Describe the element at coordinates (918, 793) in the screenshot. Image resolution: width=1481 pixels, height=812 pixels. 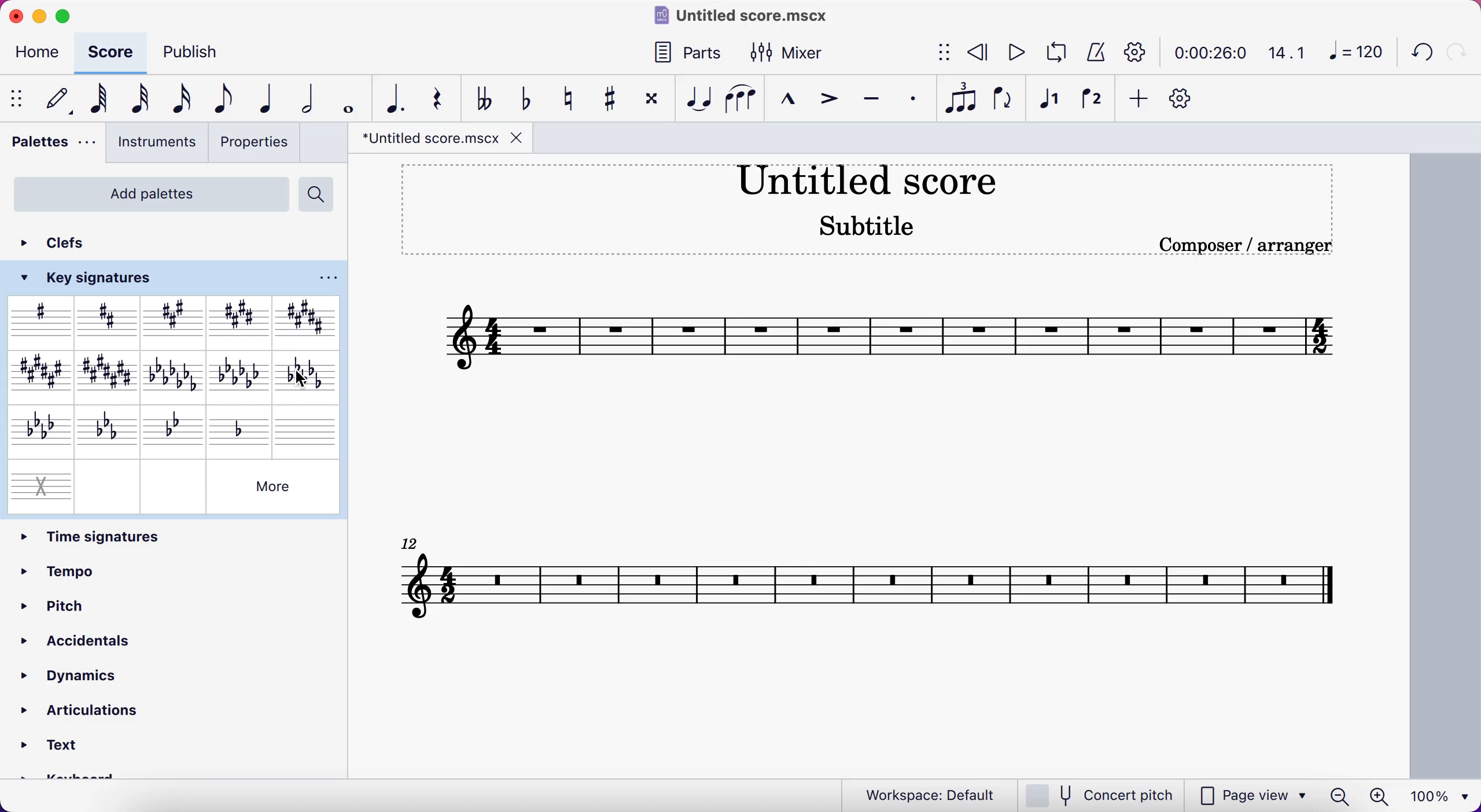
I see `workspace: default` at that location.